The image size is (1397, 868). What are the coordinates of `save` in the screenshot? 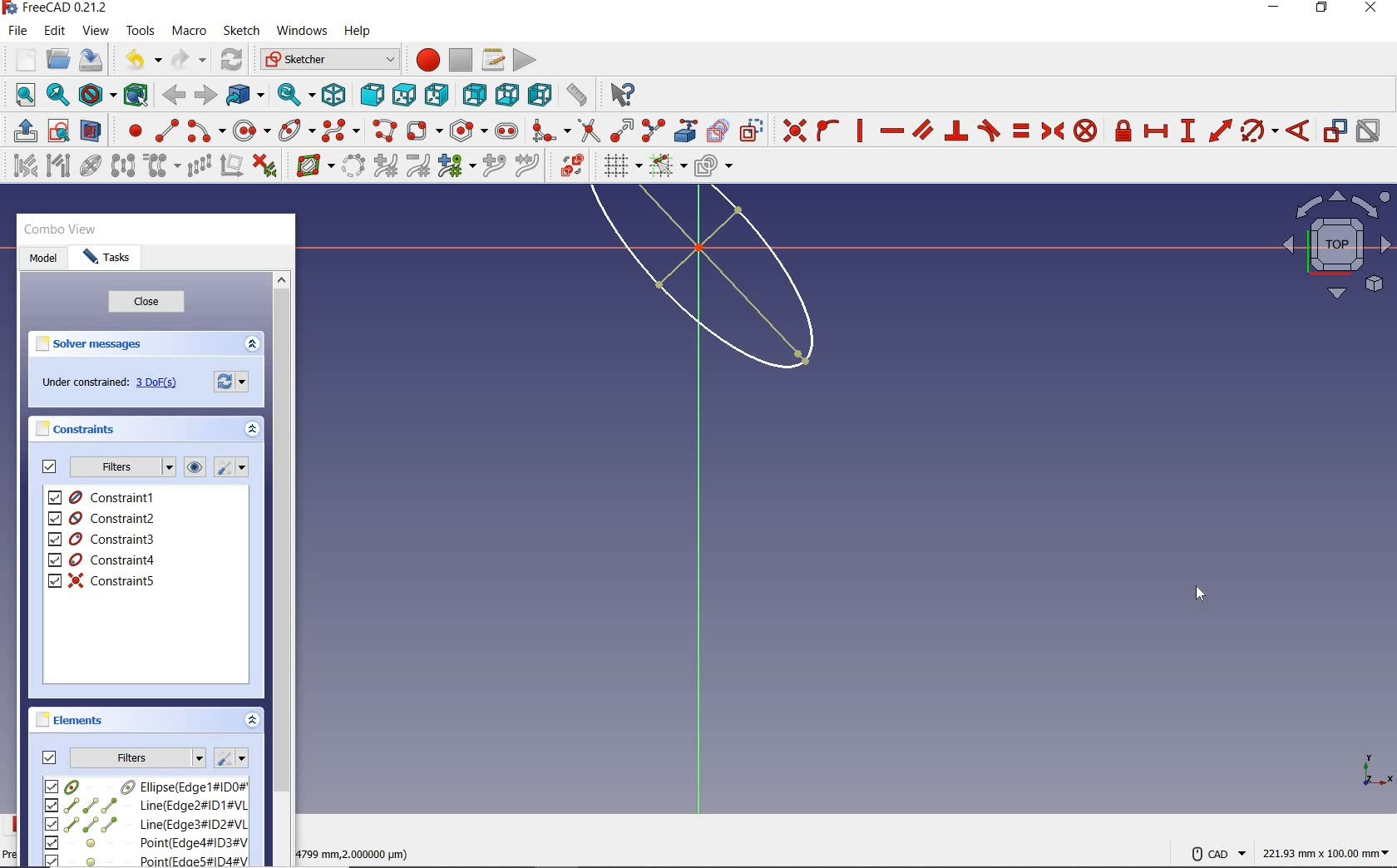 It's located at (90, 60).